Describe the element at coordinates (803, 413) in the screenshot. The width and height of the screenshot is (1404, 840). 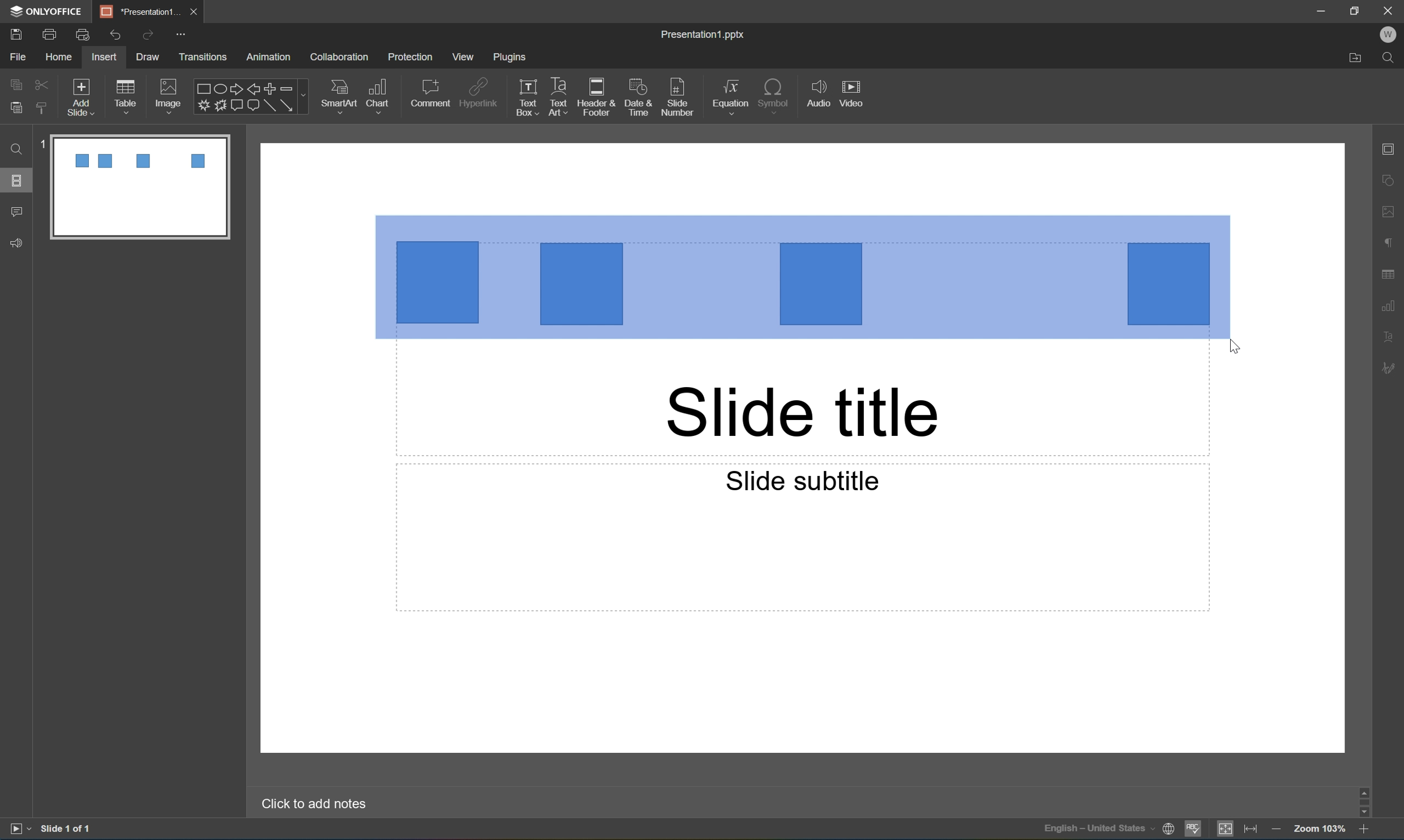
I see `slide title` at that location.